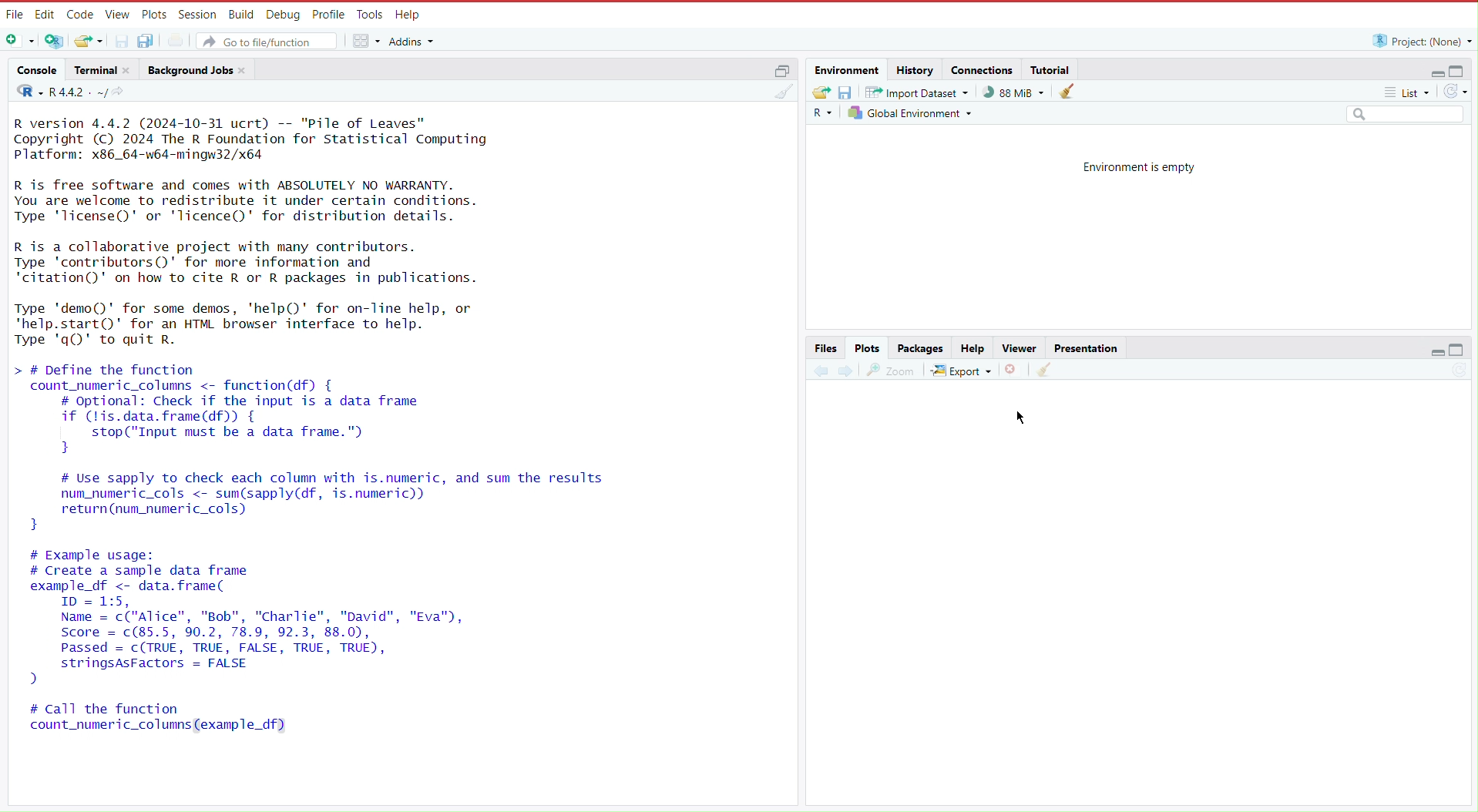 This screenshot has height=812, width=1478. I want to click on Save all open documents (Ctrl + Alt + S), so click(153, 40).